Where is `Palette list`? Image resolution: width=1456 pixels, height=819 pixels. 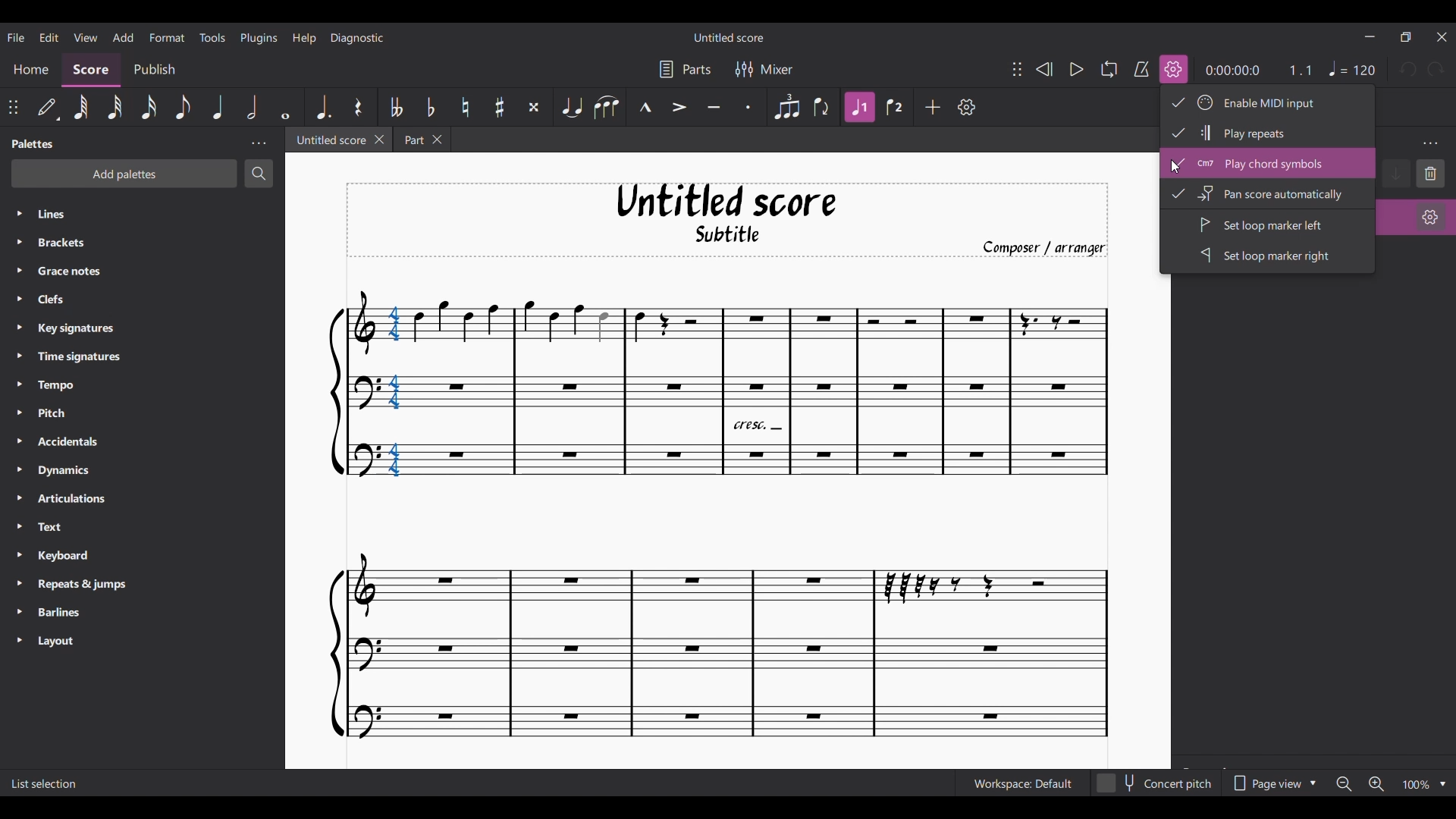
Palette list is located at coordinates (157, 427).